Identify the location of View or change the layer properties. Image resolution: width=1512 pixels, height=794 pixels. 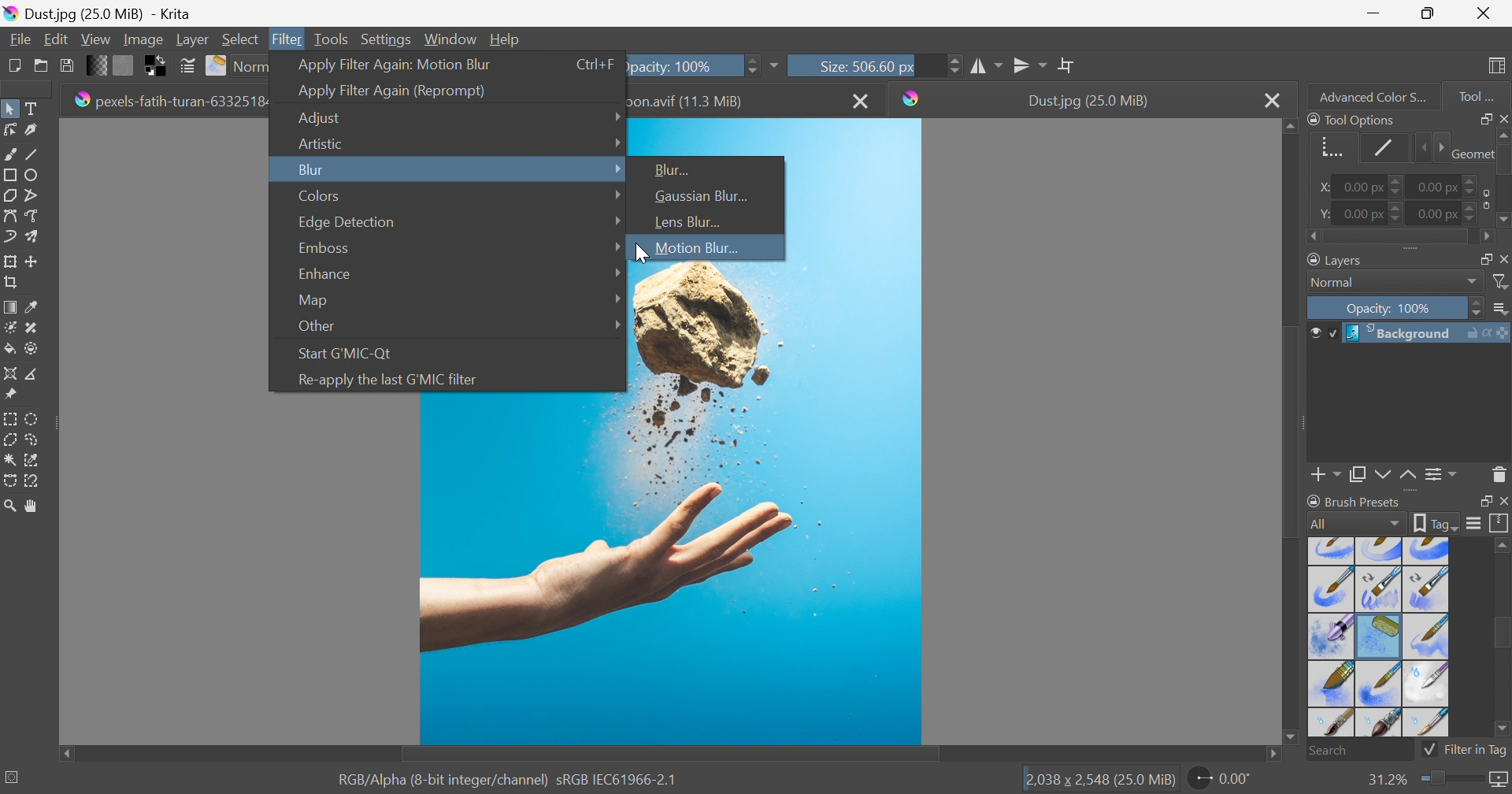
(1437, 475).